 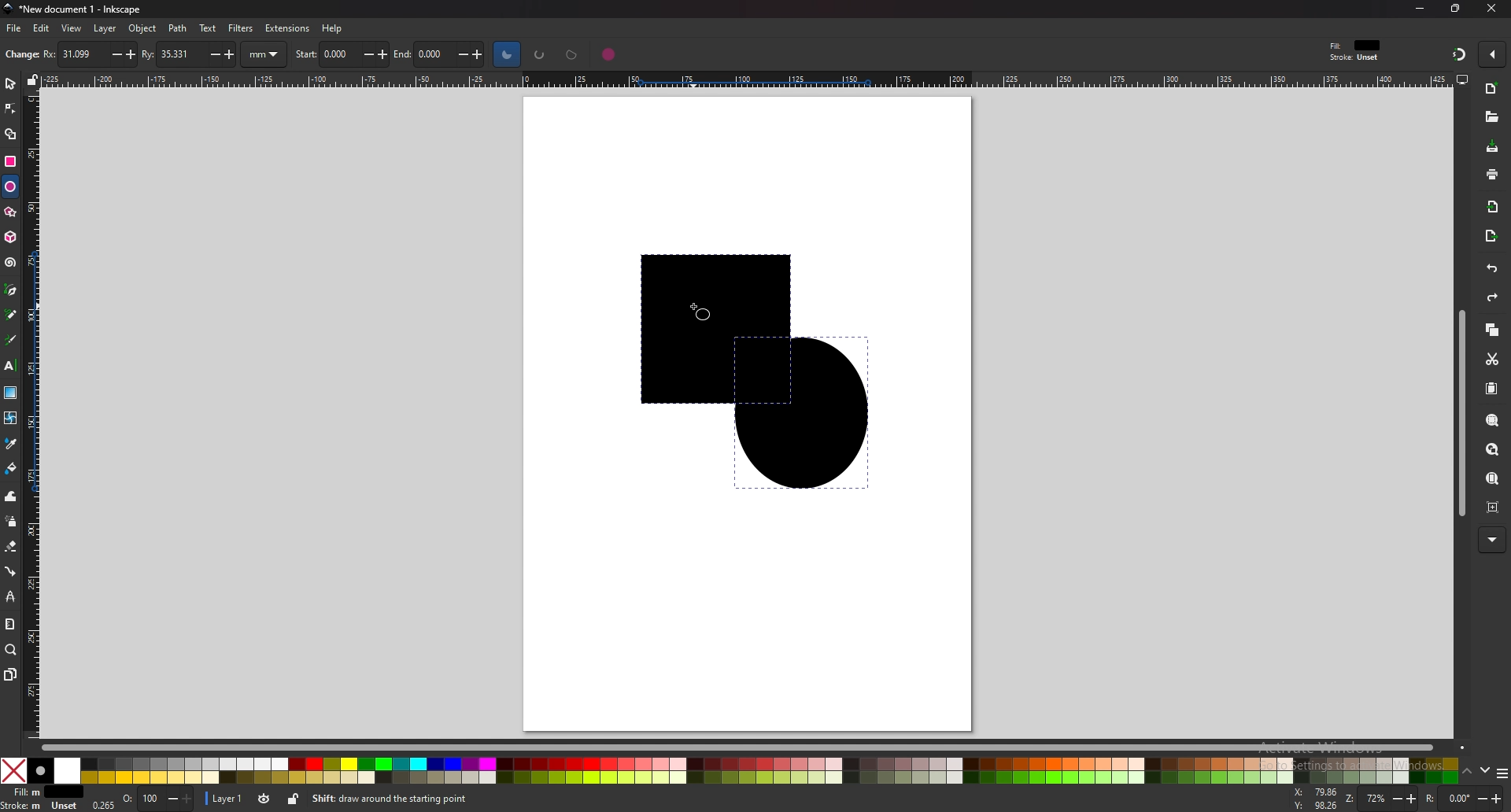 What do you see at coordinates (1491, 269) in the screenshot?
I see `undo` at bounding box center [1491, 269].